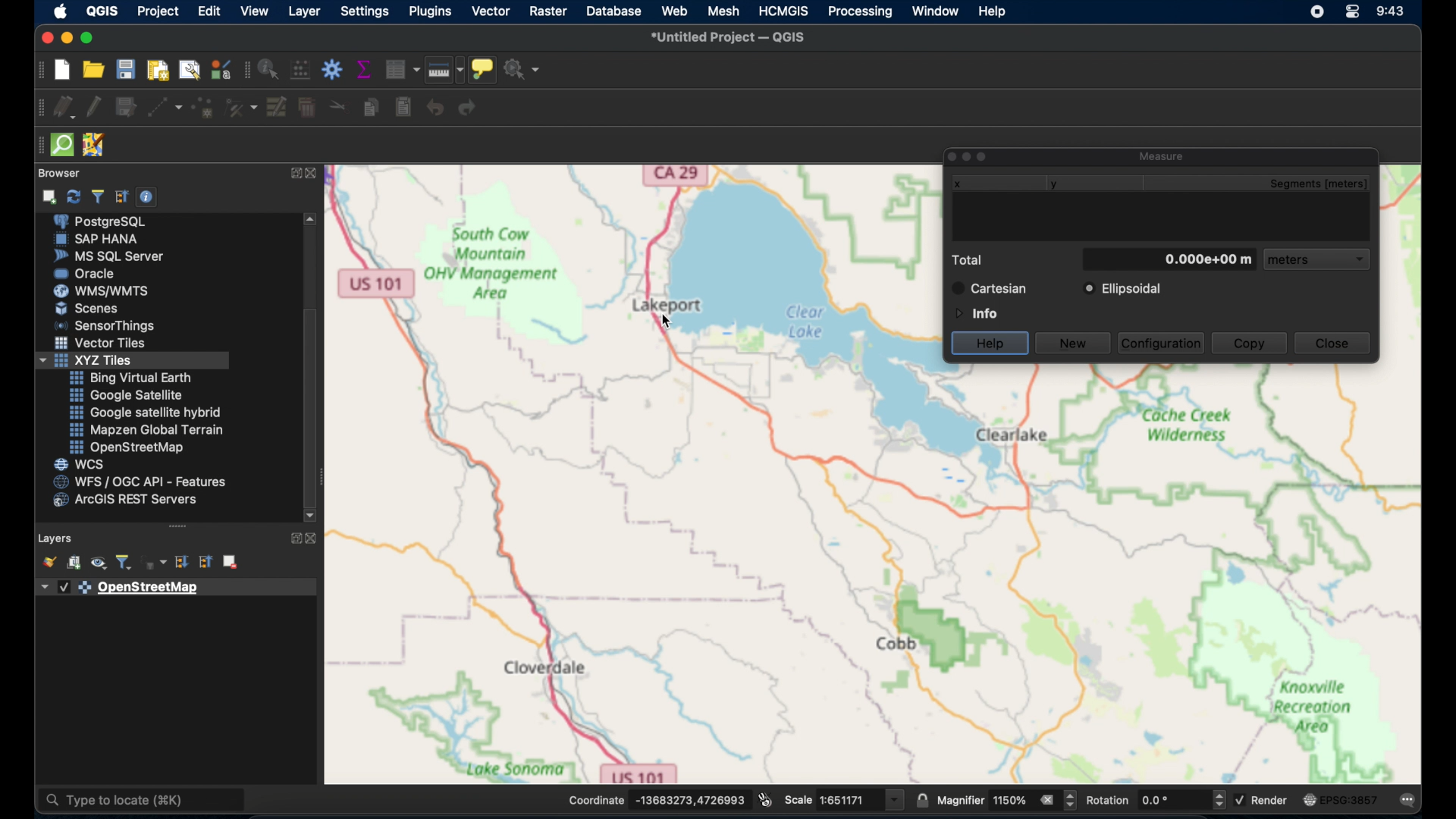 The width and height of the screenshot is (1456, 819). What do you see at coordinates (955, 186) in the screenshot?
I see `x` at bounding box center [955, 186].